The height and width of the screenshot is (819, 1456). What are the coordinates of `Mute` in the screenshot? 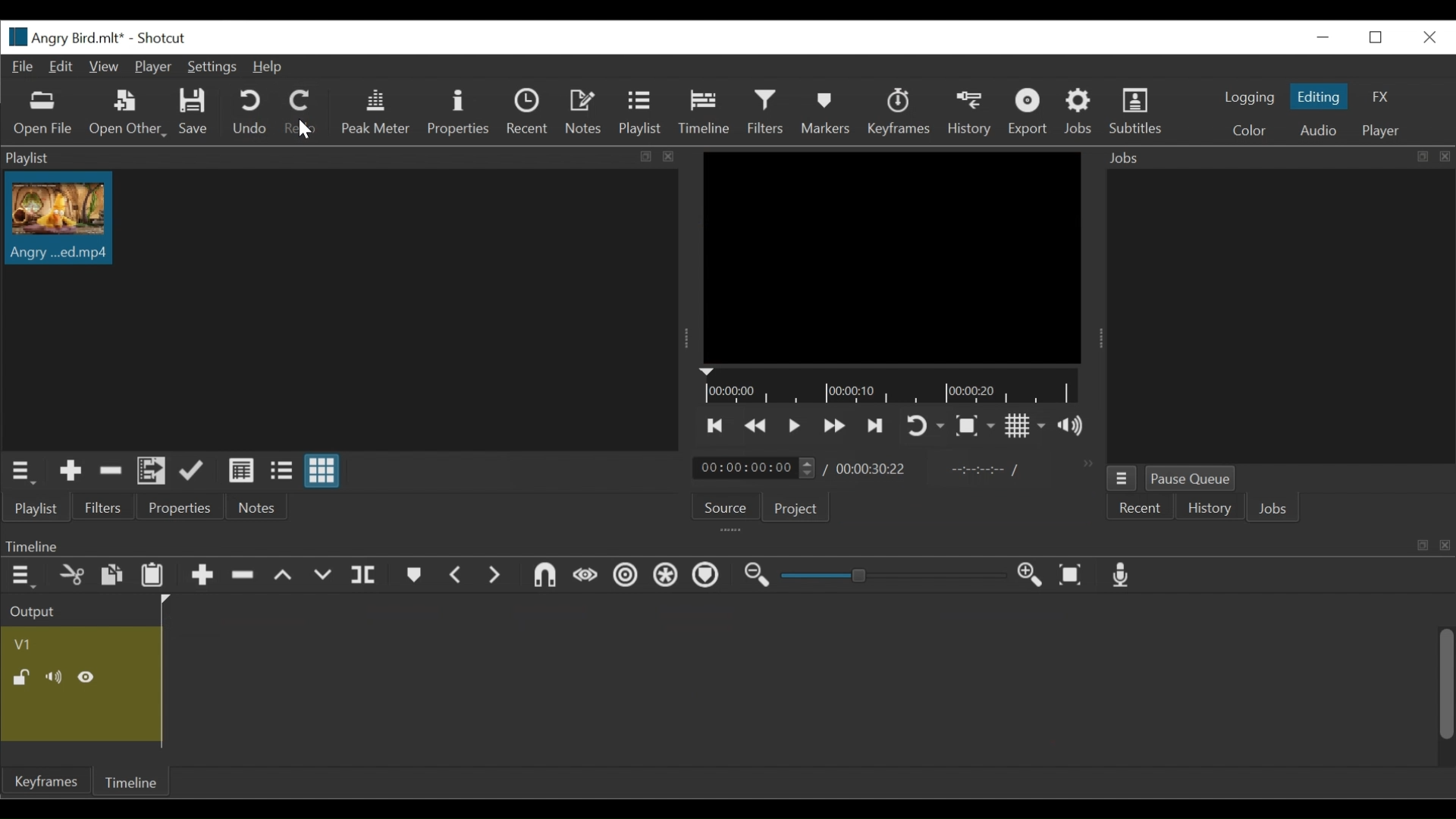 It's located at (56, 677).